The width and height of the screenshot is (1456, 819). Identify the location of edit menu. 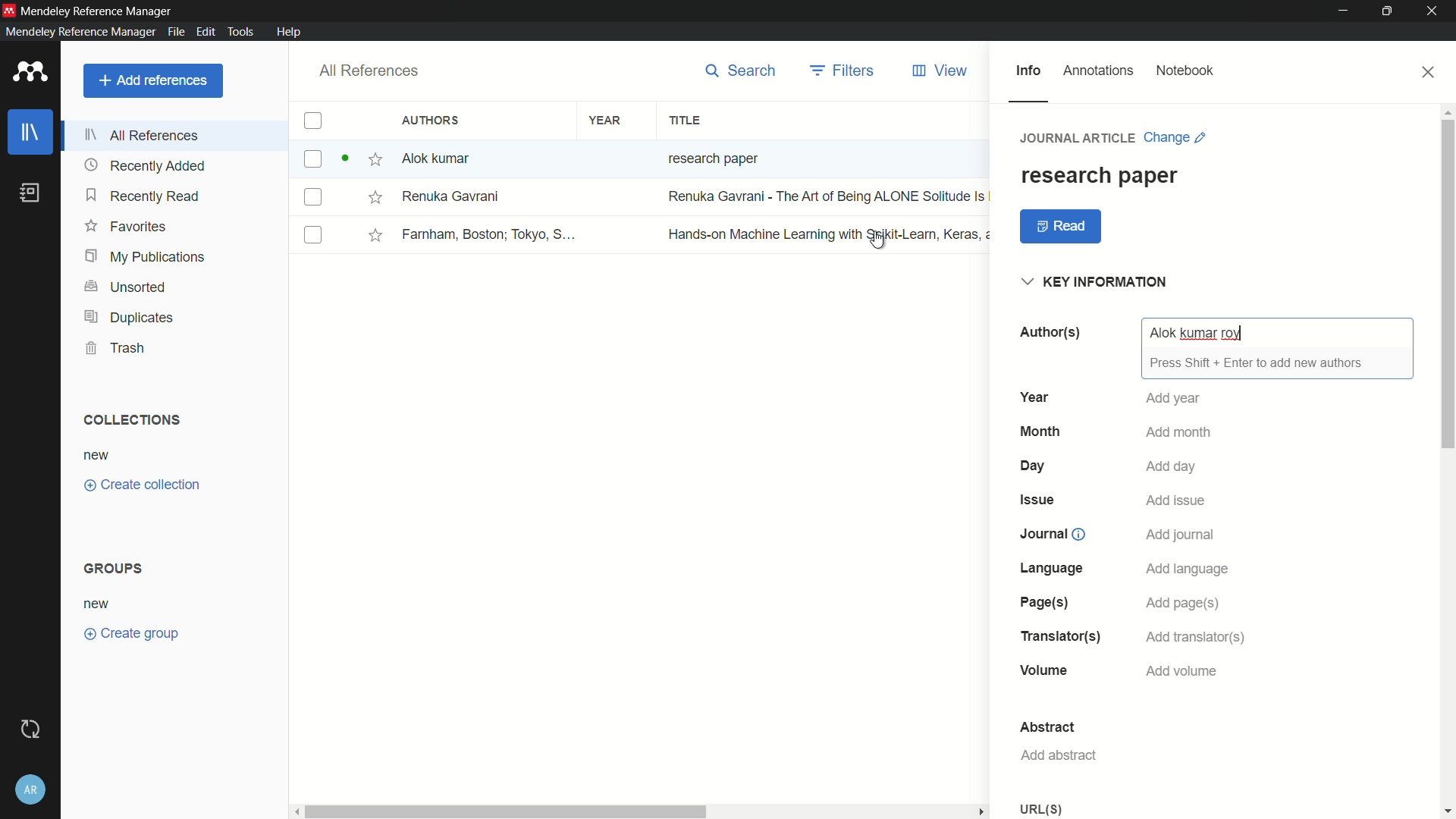
(204, 32).